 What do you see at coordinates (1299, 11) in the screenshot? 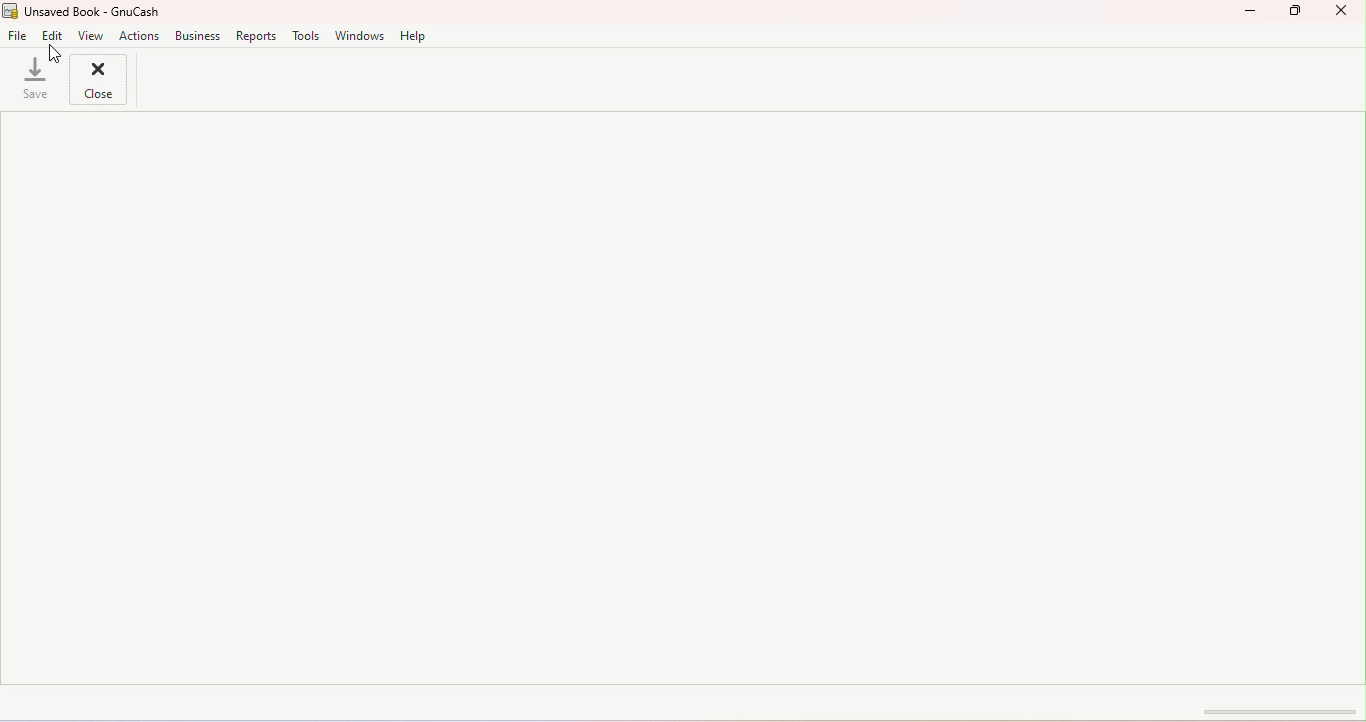
I see `Maximize` at bounding box center [1299, 11].